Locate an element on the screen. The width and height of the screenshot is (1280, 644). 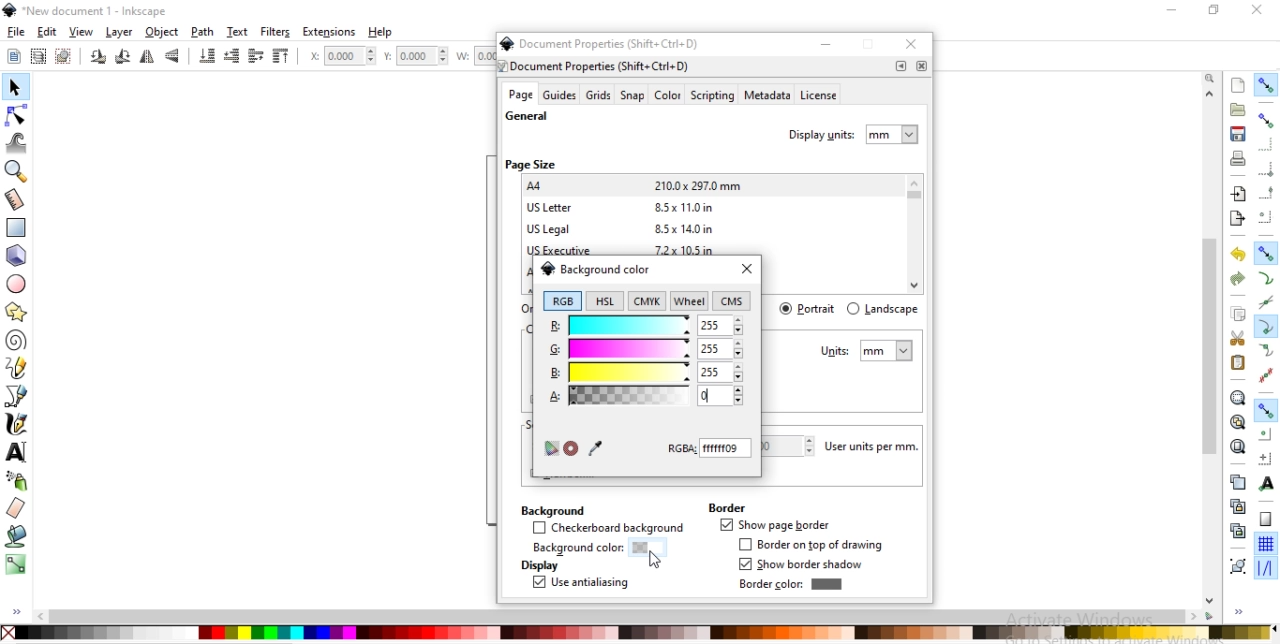
out of gamut is located at coordinates (571, 449).